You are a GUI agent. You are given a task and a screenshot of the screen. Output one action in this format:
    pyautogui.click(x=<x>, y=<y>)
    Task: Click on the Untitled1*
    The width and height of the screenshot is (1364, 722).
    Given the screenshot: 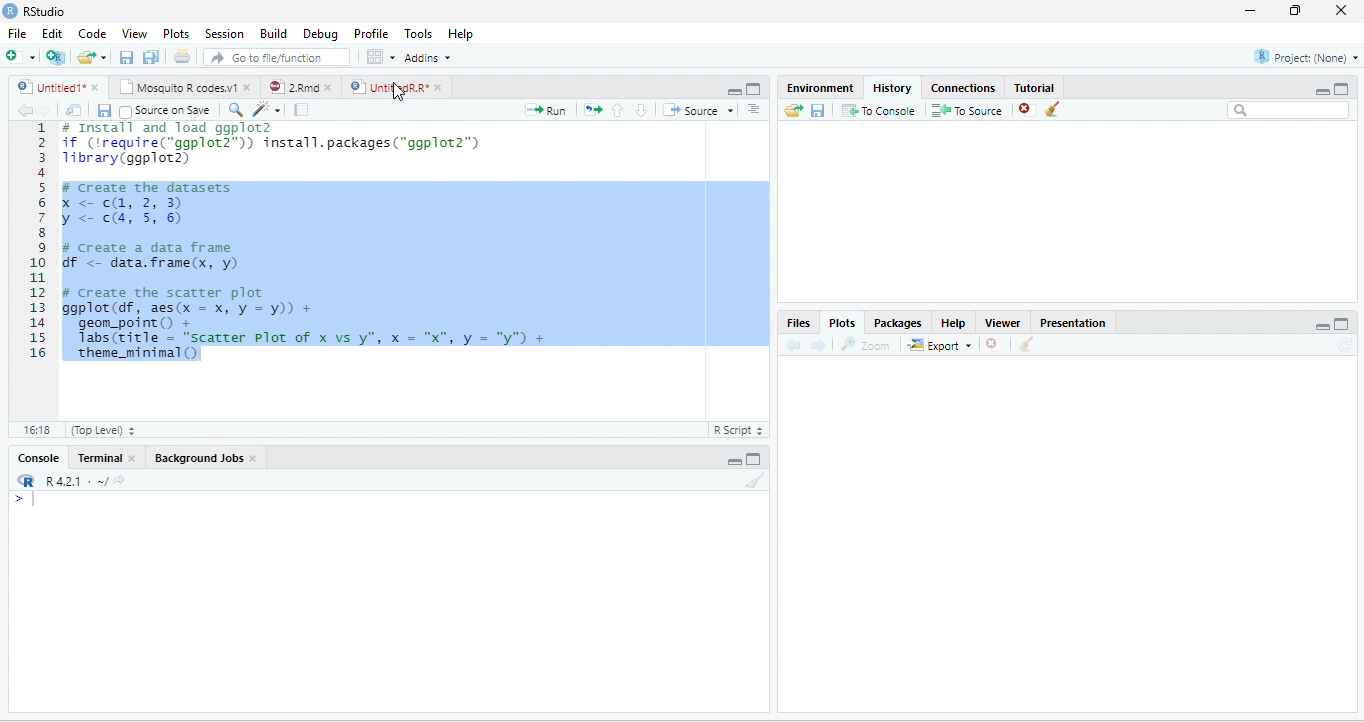 What is the action you would take?
    pyautogui.click(x=48, y=87)
    